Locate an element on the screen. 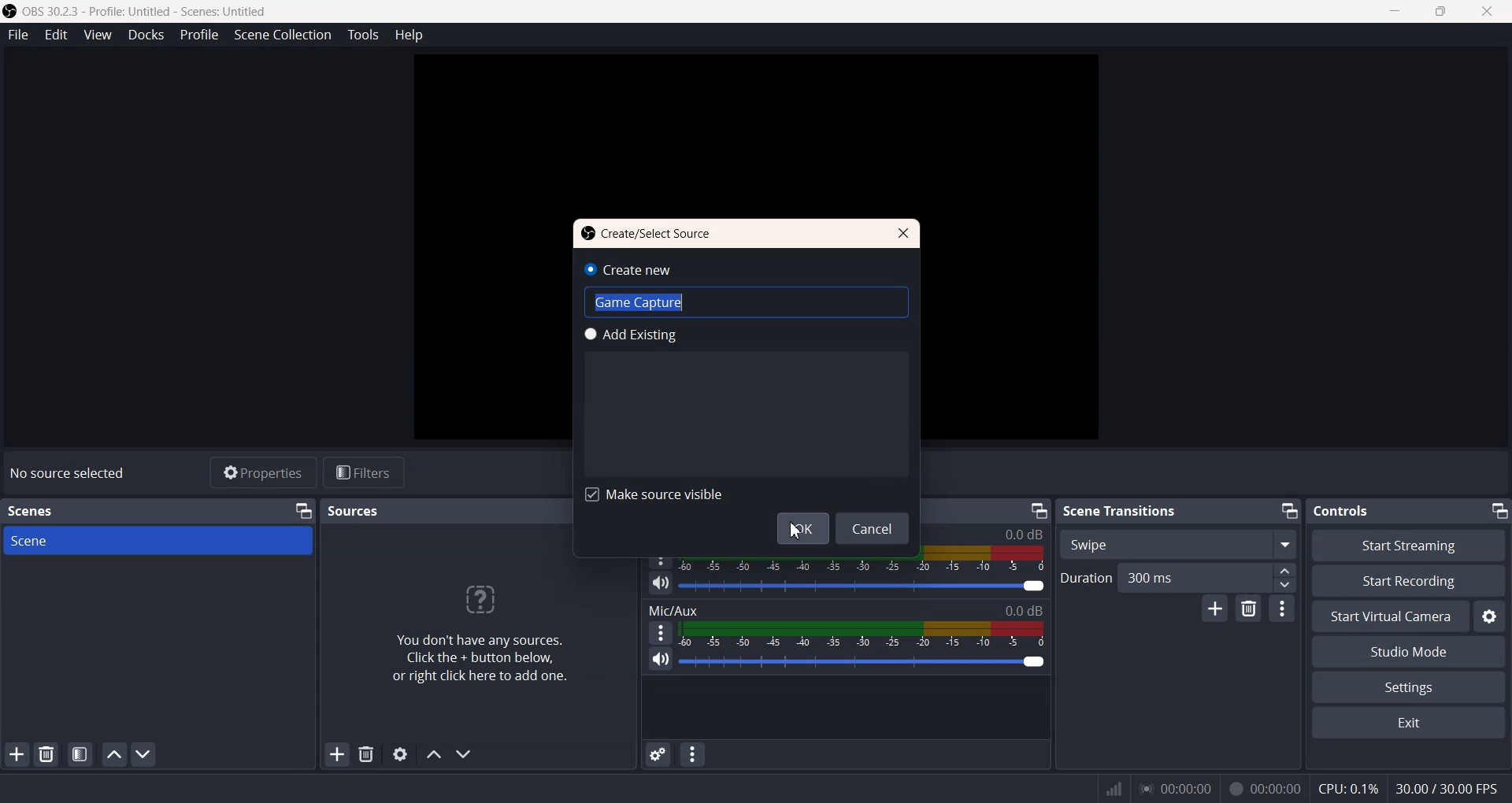 The height and width of the screenshot is (803, 1512). Text is located at coordinates (1340, 510).